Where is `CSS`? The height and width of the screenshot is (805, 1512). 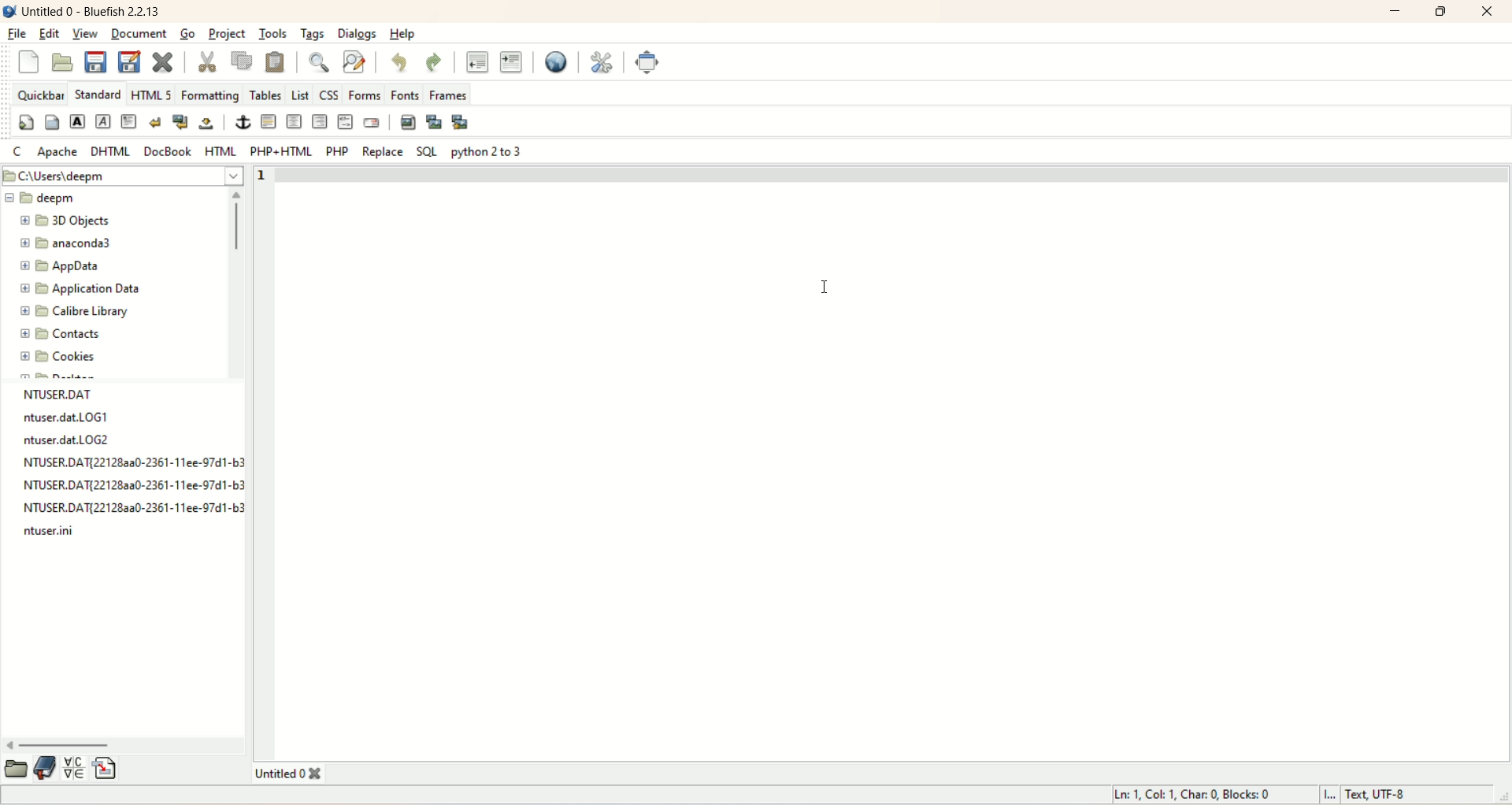
CSS is located at coordinates (330, 94).